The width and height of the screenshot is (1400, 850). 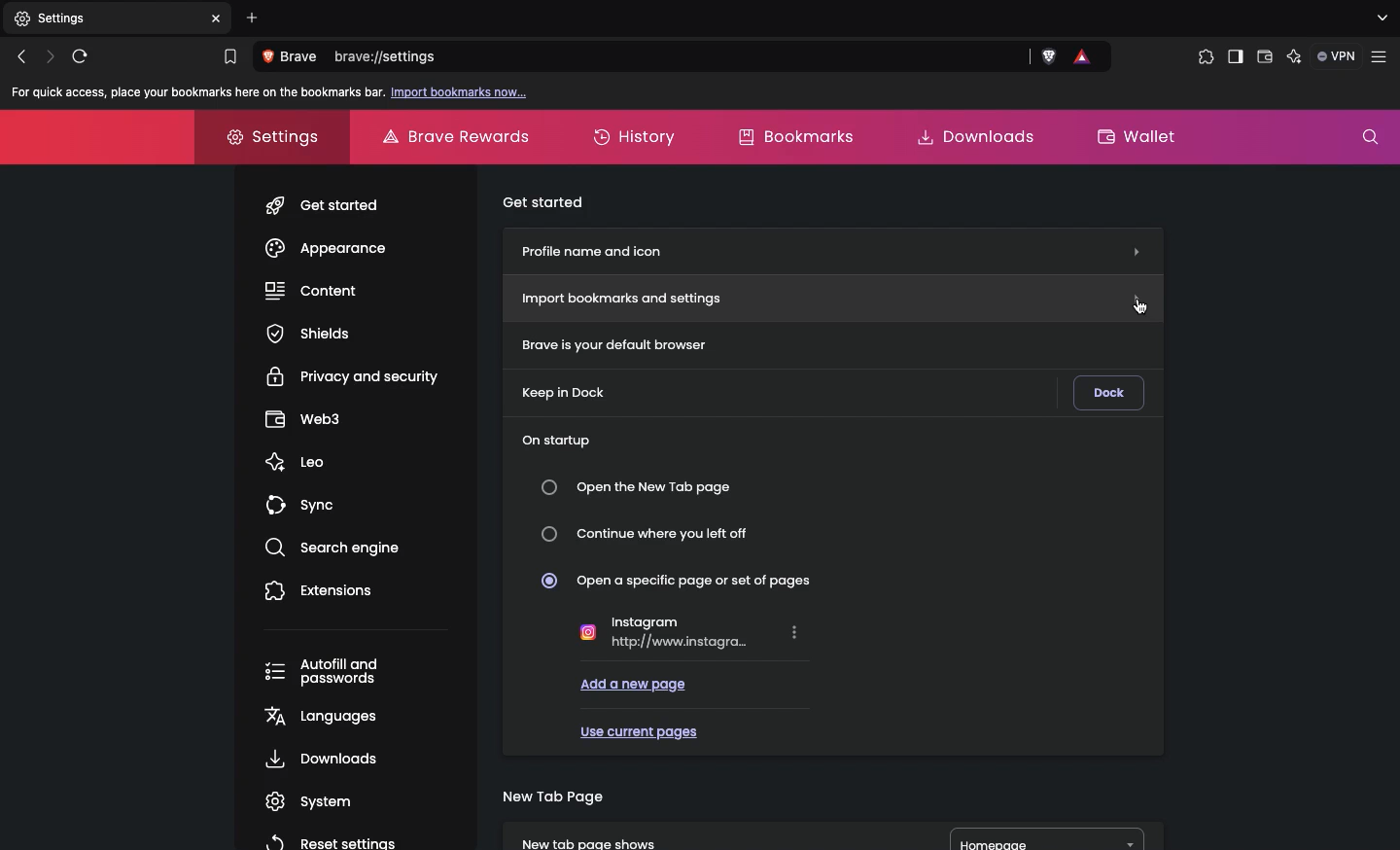 What do you see at coordinates (685, 580) in the screenshot?
I see `Open a specific page or set of pages` at bounding box center [685, 580].